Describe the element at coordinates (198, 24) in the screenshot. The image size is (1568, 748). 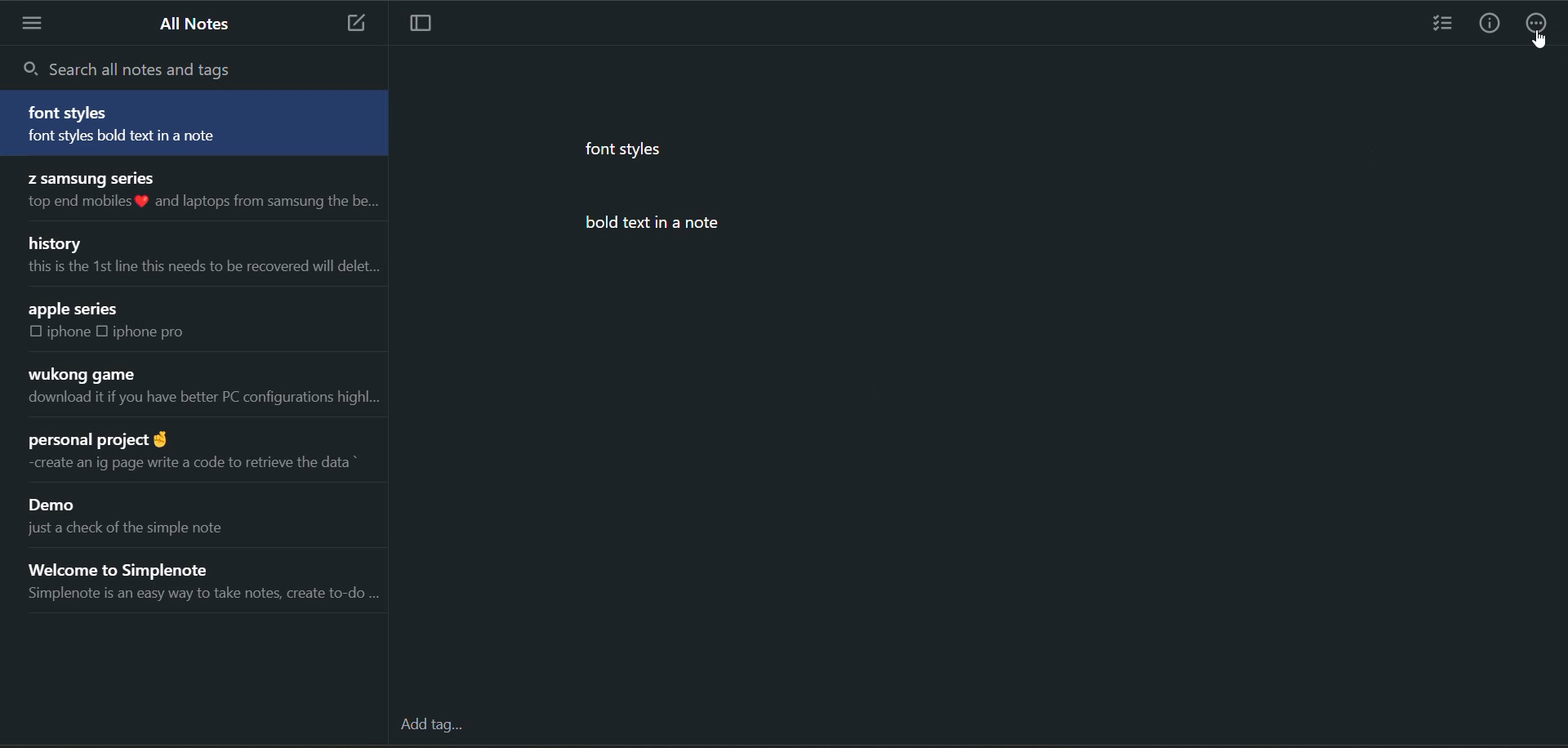
I see `all notes` at that location.